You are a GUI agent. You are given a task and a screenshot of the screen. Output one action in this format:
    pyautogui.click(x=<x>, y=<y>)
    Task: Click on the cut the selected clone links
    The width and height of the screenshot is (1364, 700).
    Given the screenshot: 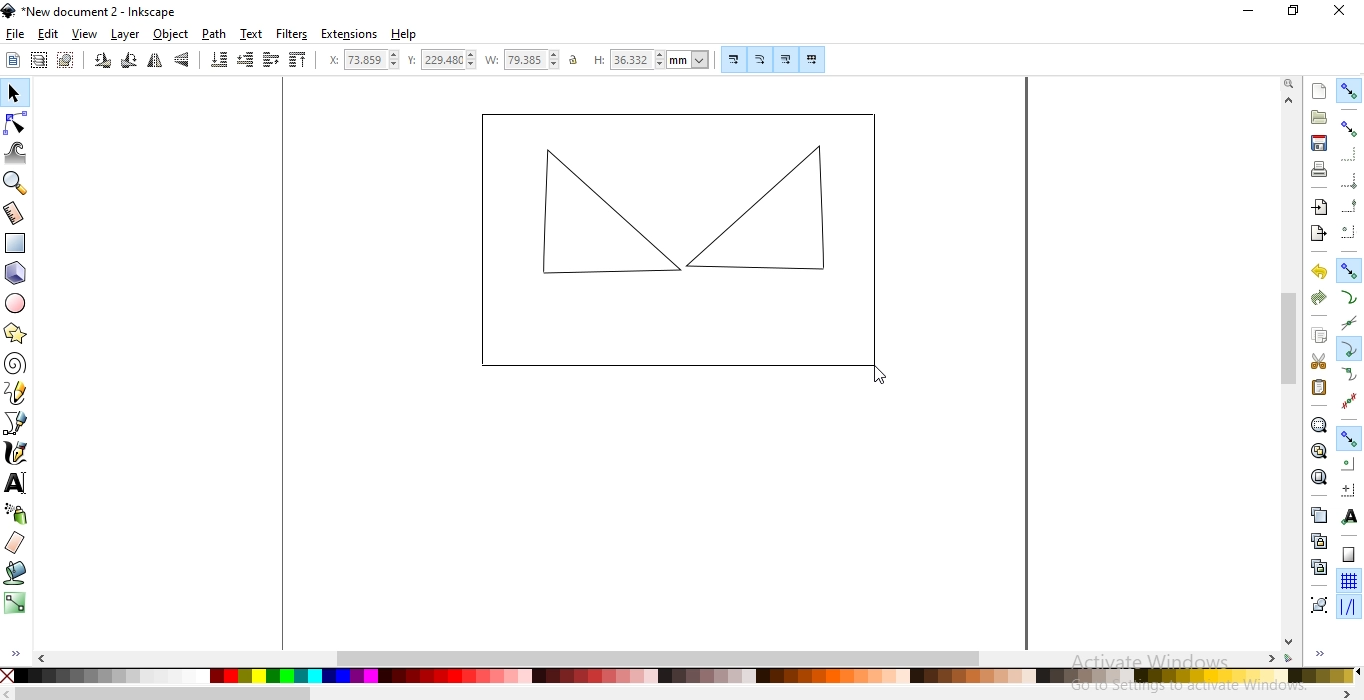 What is the action you would take?
    pyautogui.click(x=1319, y=567)
    